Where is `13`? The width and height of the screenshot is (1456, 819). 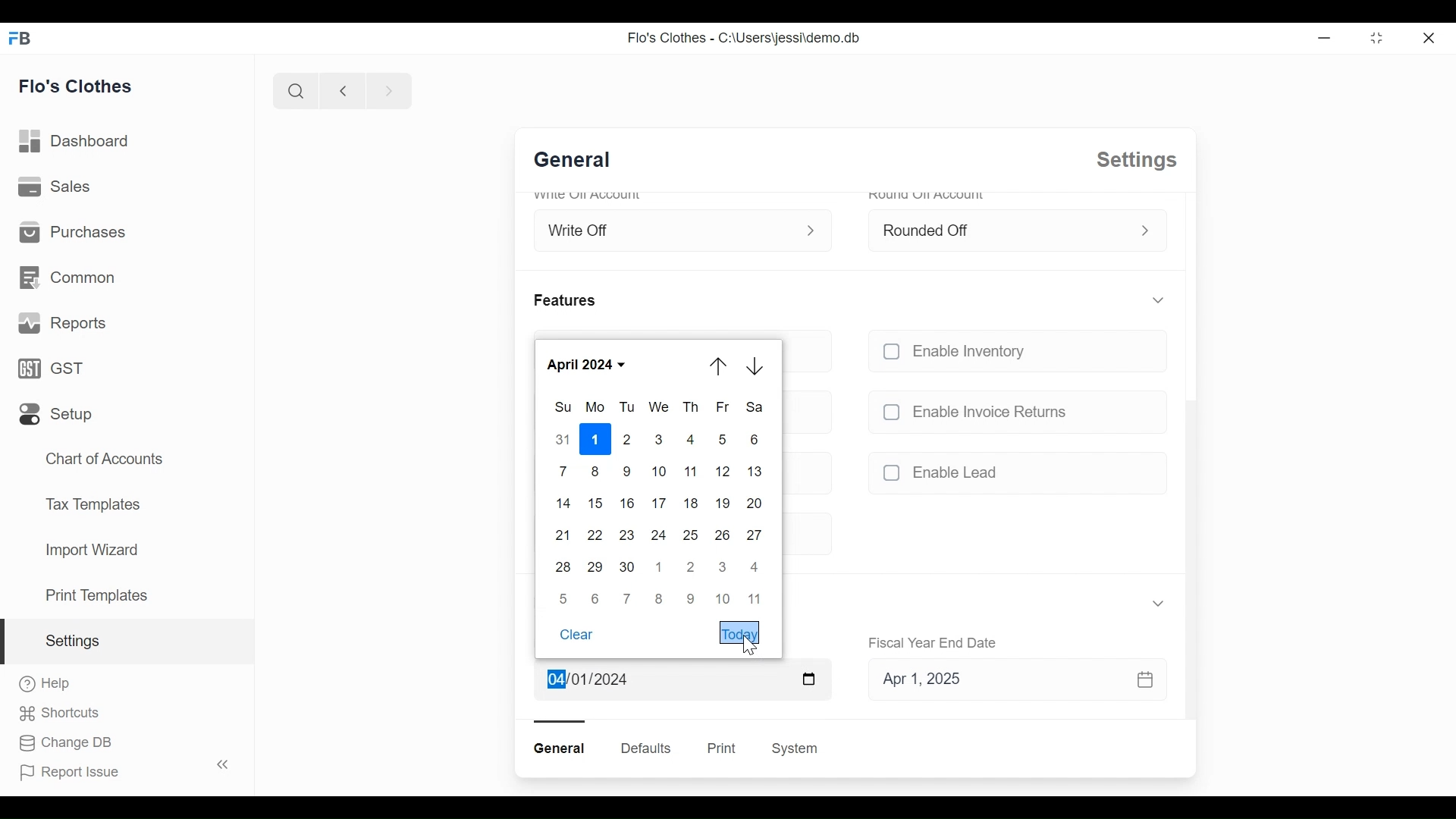 13 is located at coordinates (756, 471).